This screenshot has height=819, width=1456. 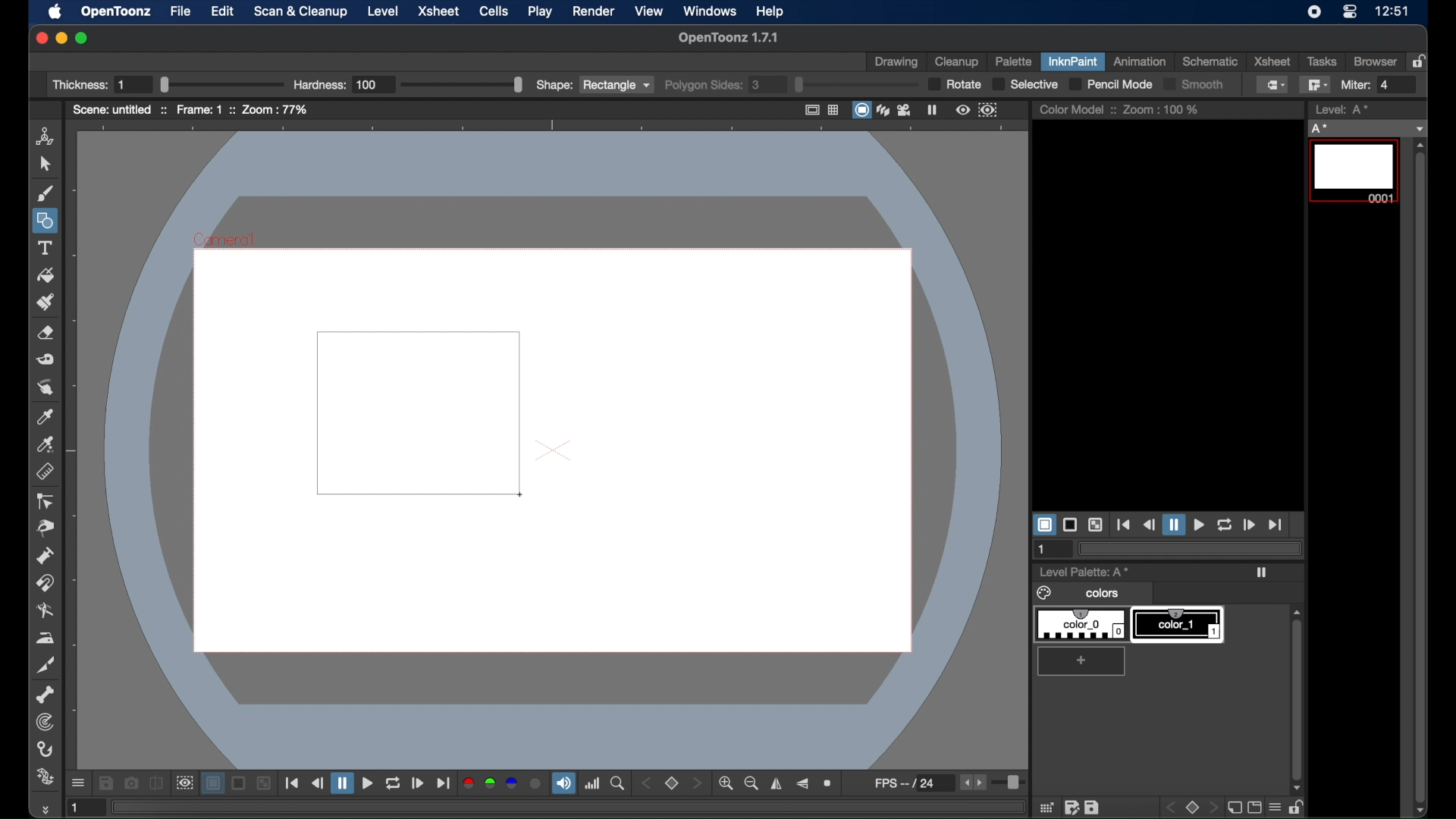 What do you see at coordinates (342, 783) in the screenshot?
I see `pause button` at bounding box center [342, 783].